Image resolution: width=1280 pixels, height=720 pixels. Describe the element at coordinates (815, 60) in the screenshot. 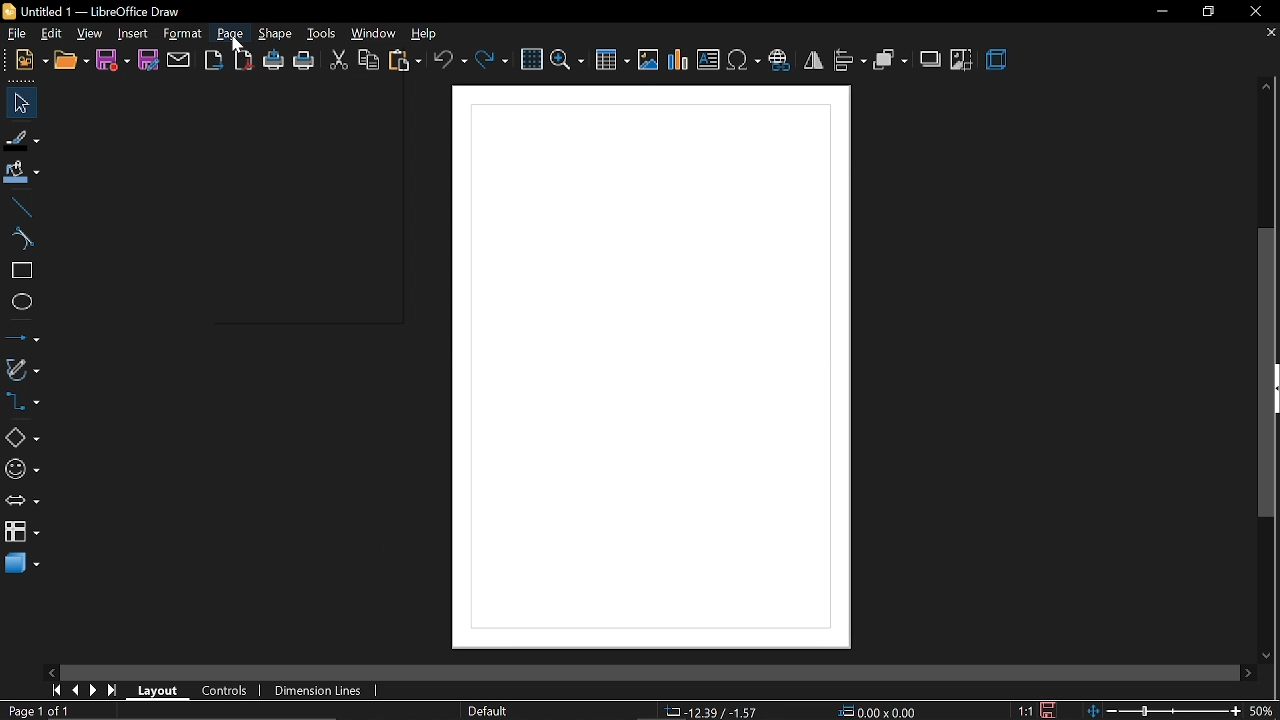

I see `flip` at that location.